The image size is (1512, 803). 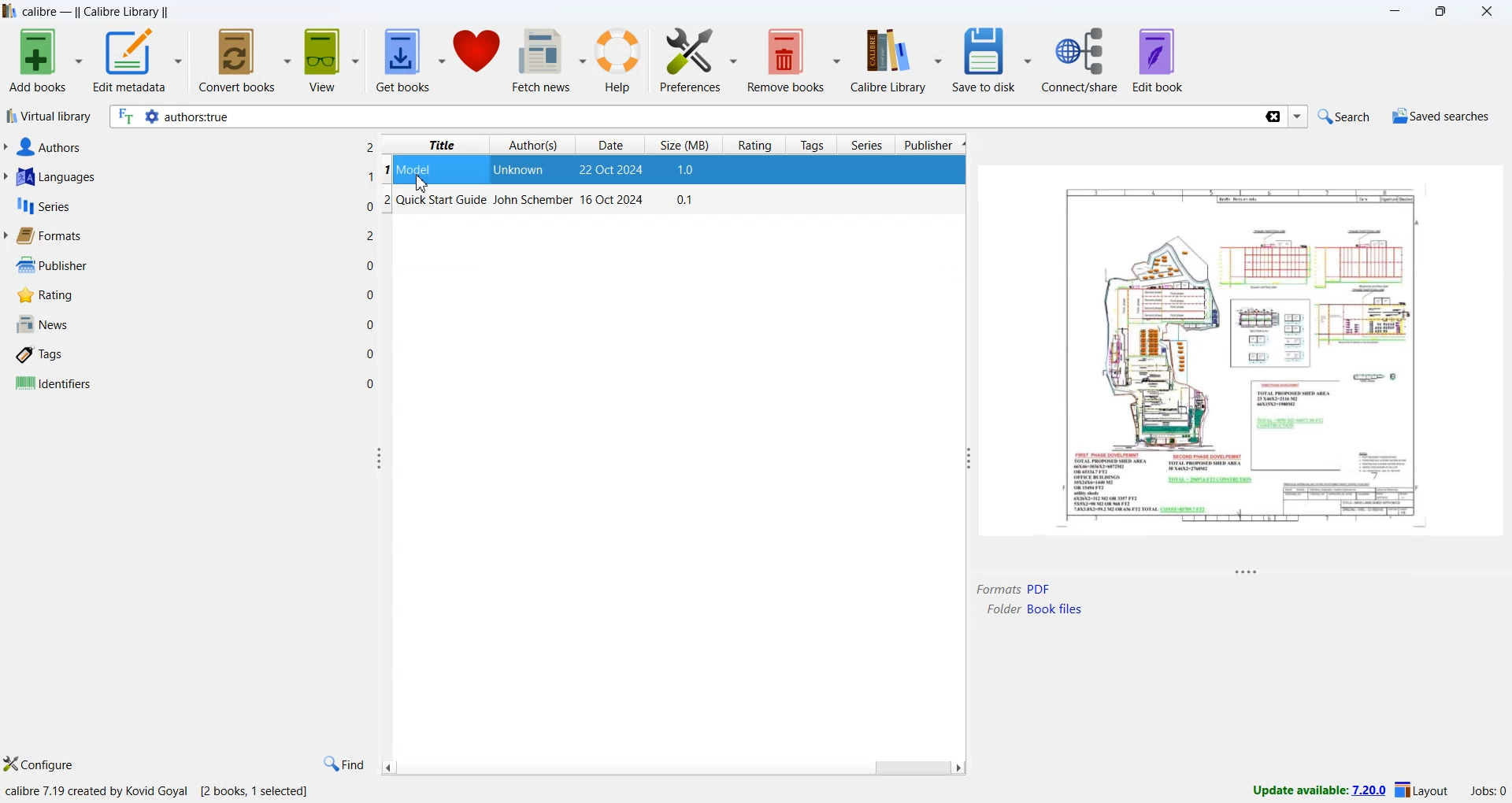 What do you see at coordinates (1083, 60) in the screenshot?
I see `connect/share` at bounding box center [1083, 60].